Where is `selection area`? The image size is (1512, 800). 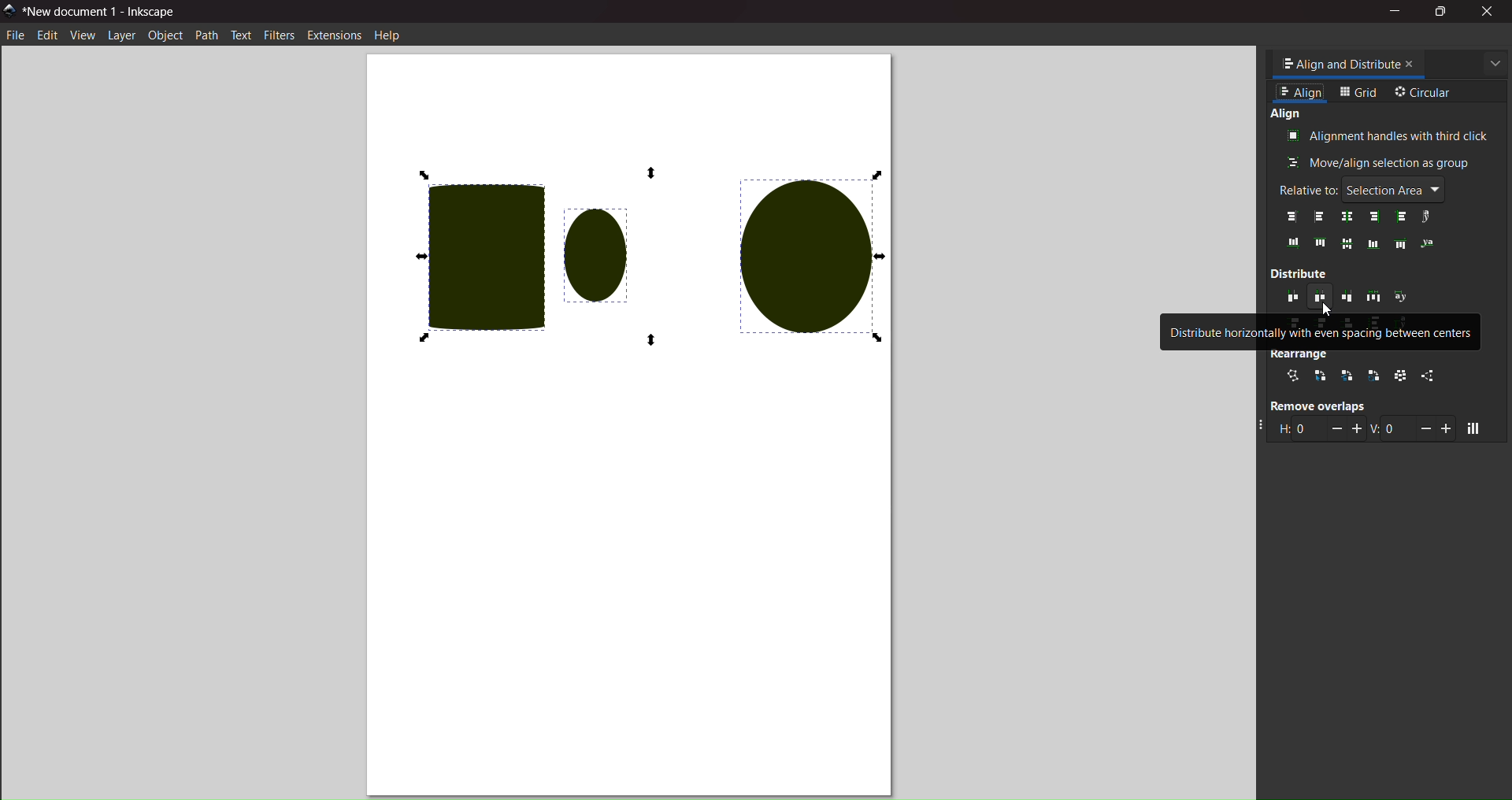 selection area is located at coordinates (1397, 188).